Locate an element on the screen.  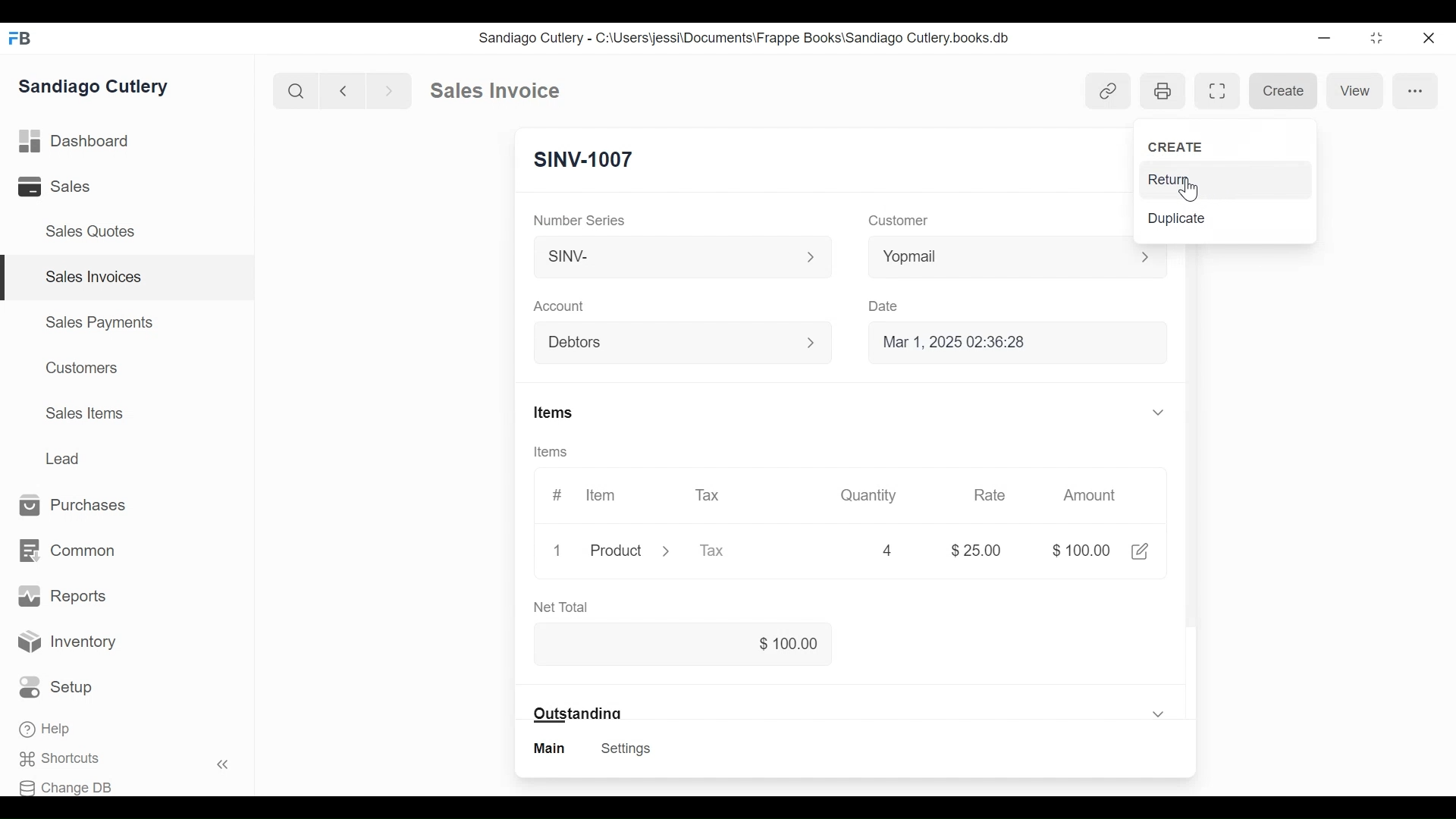
 Mar 1, 2025 02:36:28 is located at coordinates (1007, 341).